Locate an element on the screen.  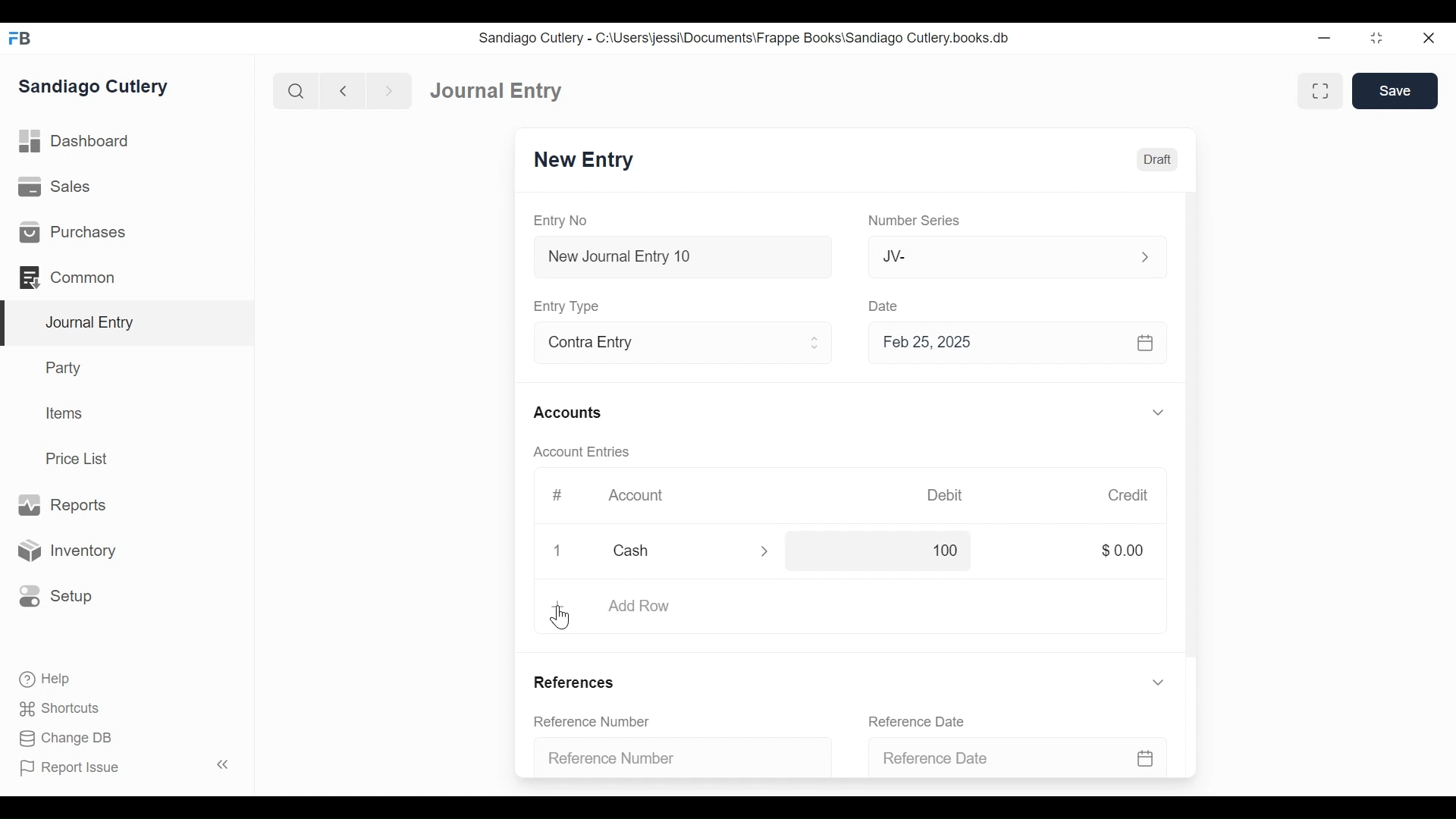
Expand is located at coordinates (769, 552).